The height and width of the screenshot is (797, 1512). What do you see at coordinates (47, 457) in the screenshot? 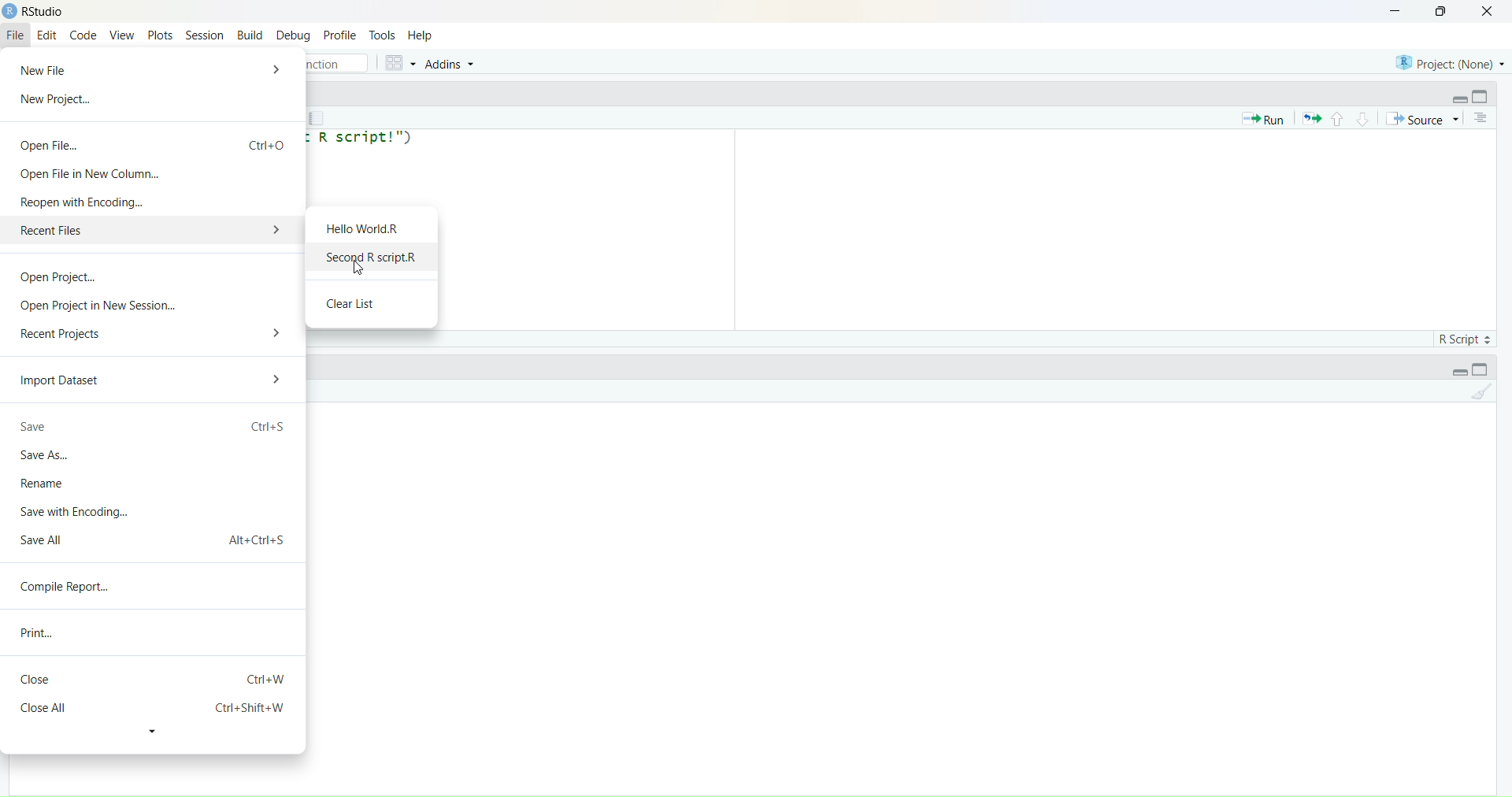
I see `Save As...` at bounding box center [47, 457].